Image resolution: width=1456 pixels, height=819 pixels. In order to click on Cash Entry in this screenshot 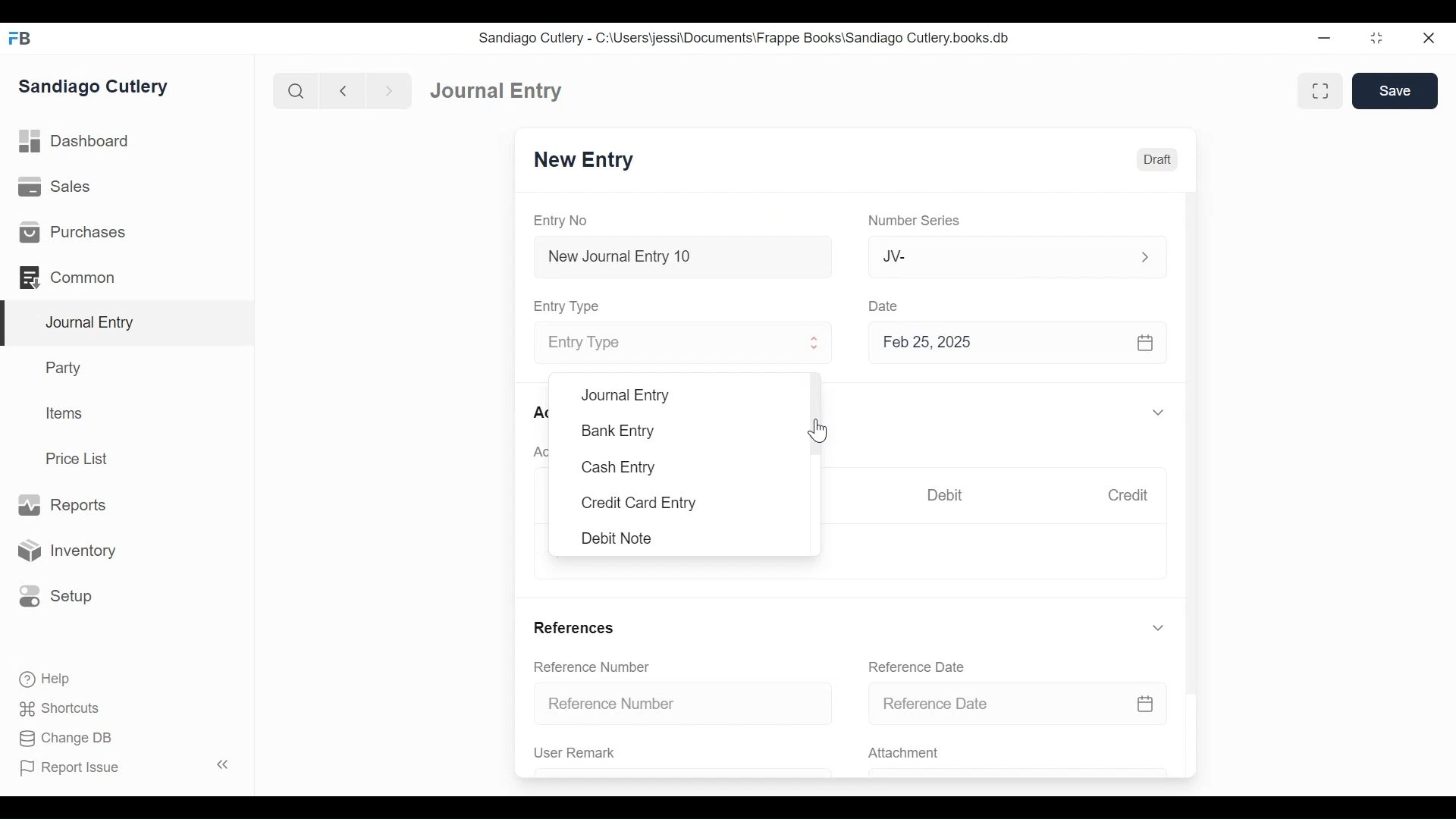, I will do `click(619, 467)`.